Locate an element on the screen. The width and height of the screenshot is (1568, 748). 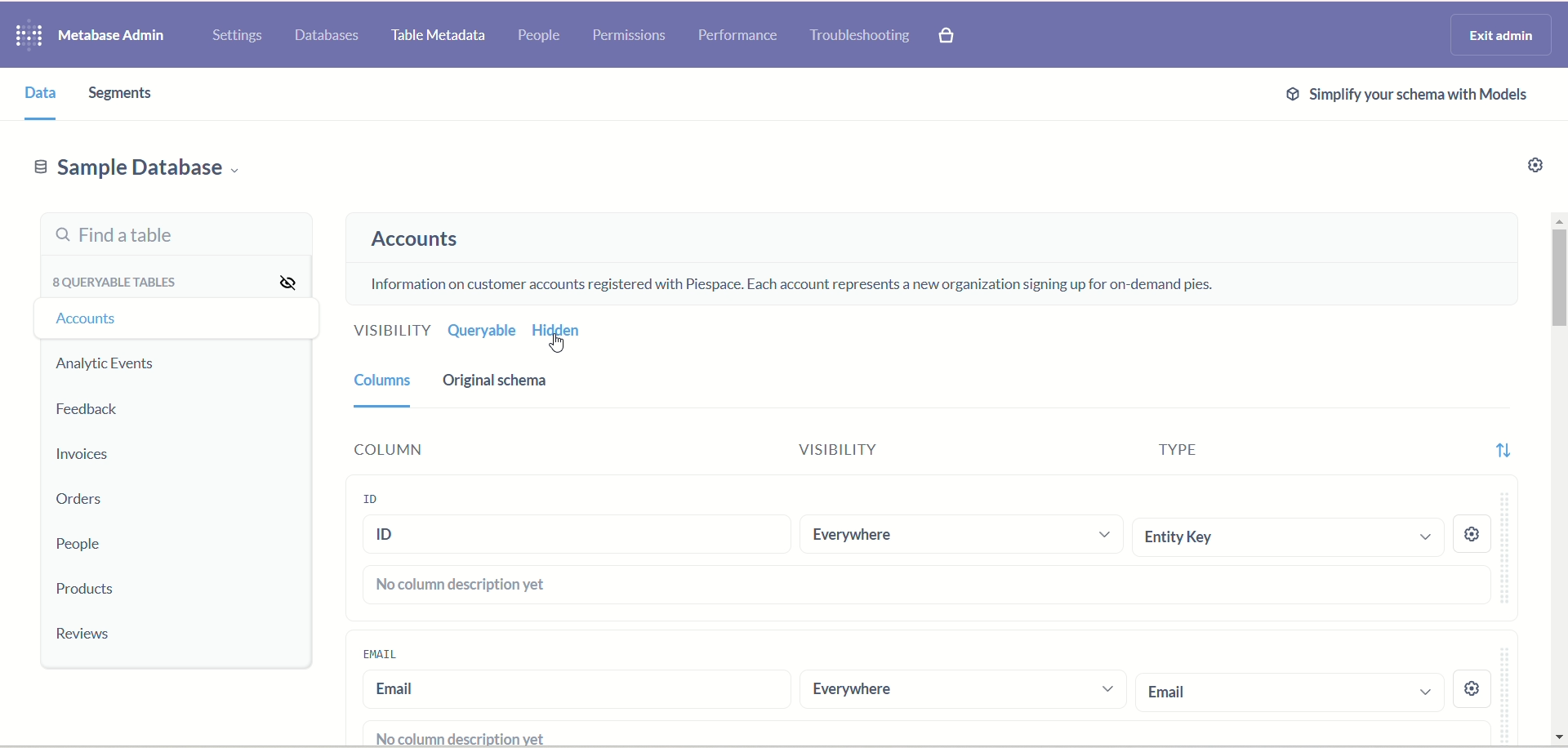
columns is located at coordinates (385, 388).